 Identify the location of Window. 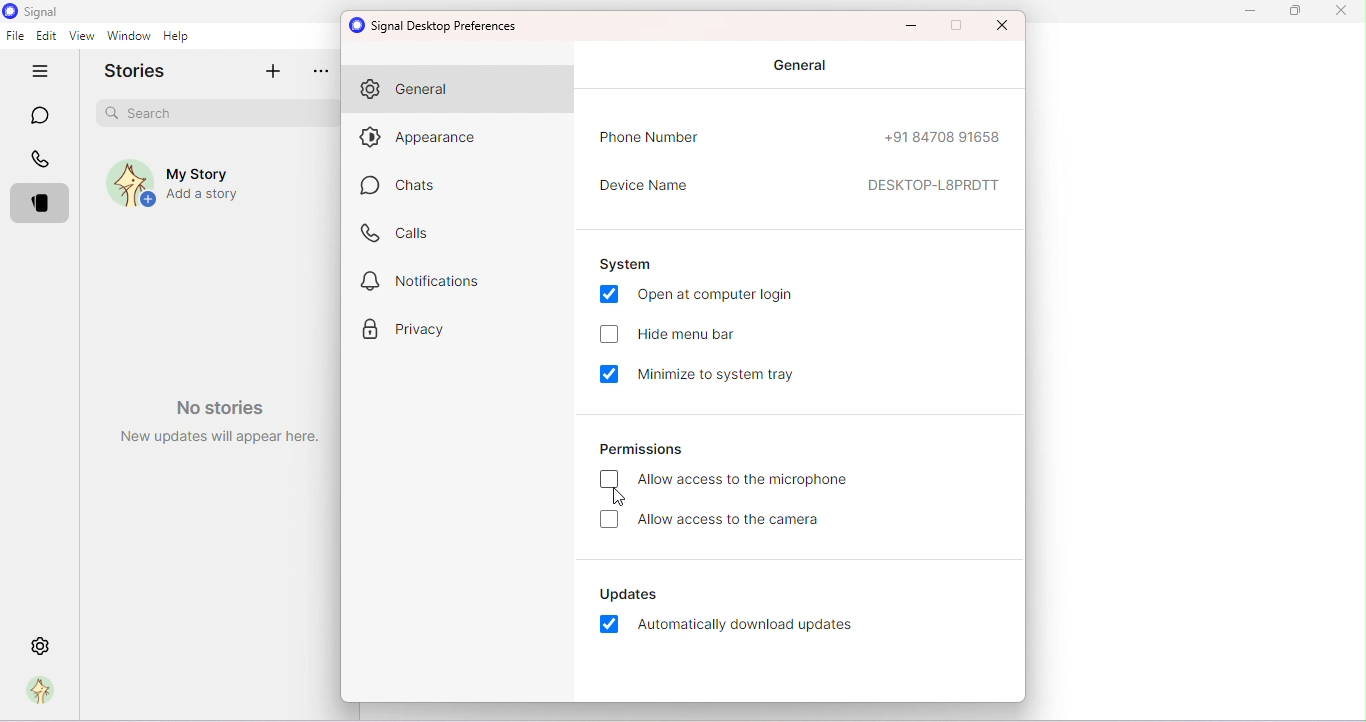
(129, 37).